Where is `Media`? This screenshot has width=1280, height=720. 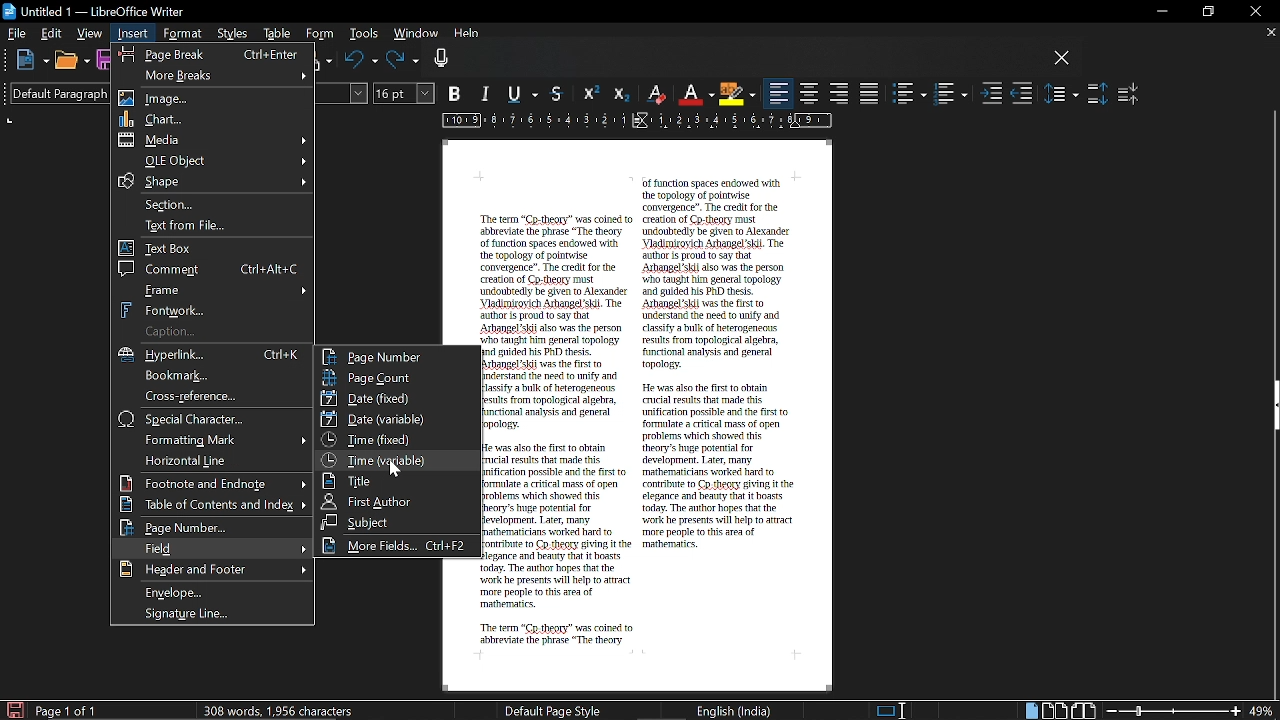
Media is located at coordinates (215, 140).